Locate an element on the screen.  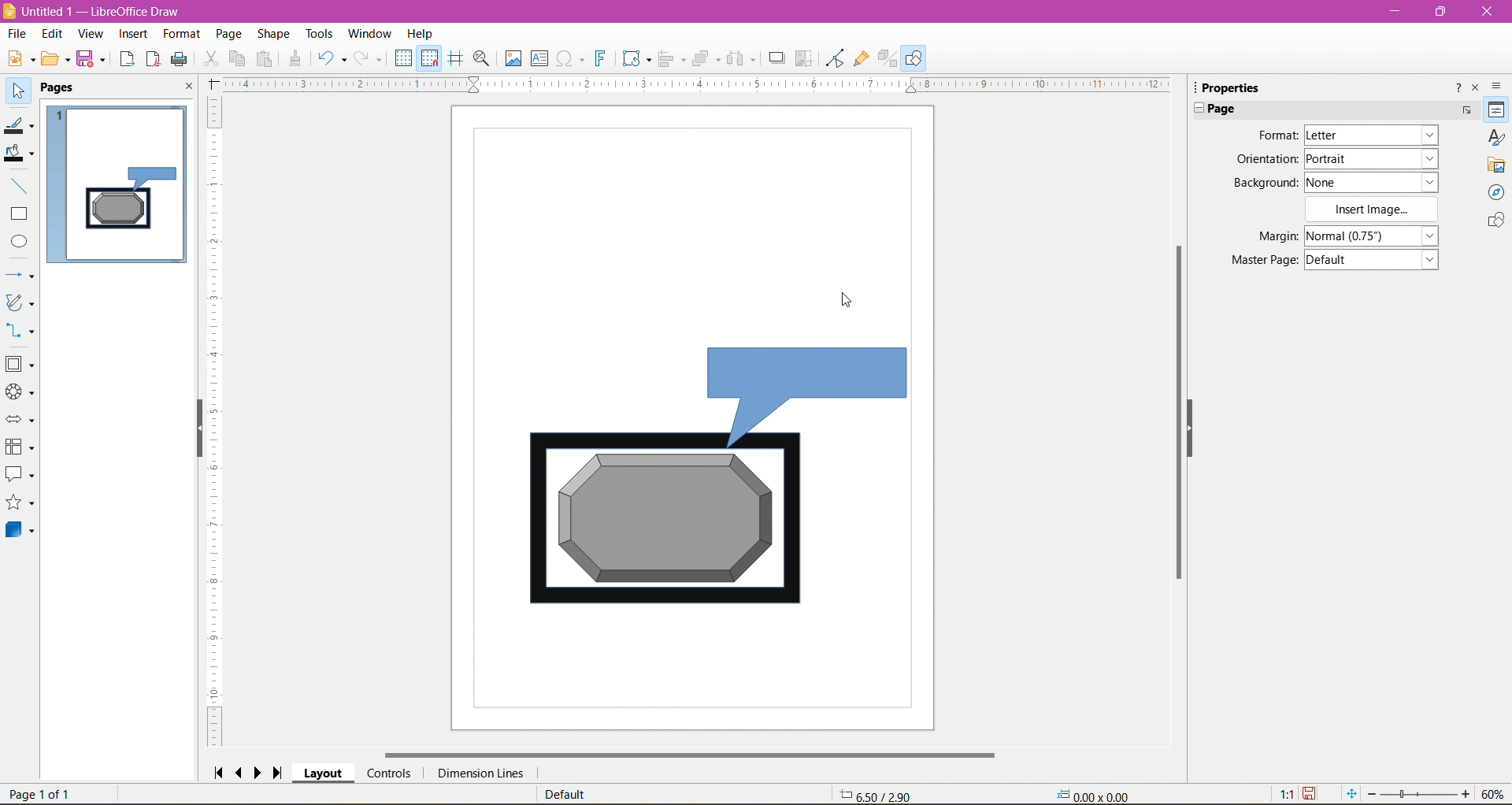
Select is located at coordinates (19, 91).